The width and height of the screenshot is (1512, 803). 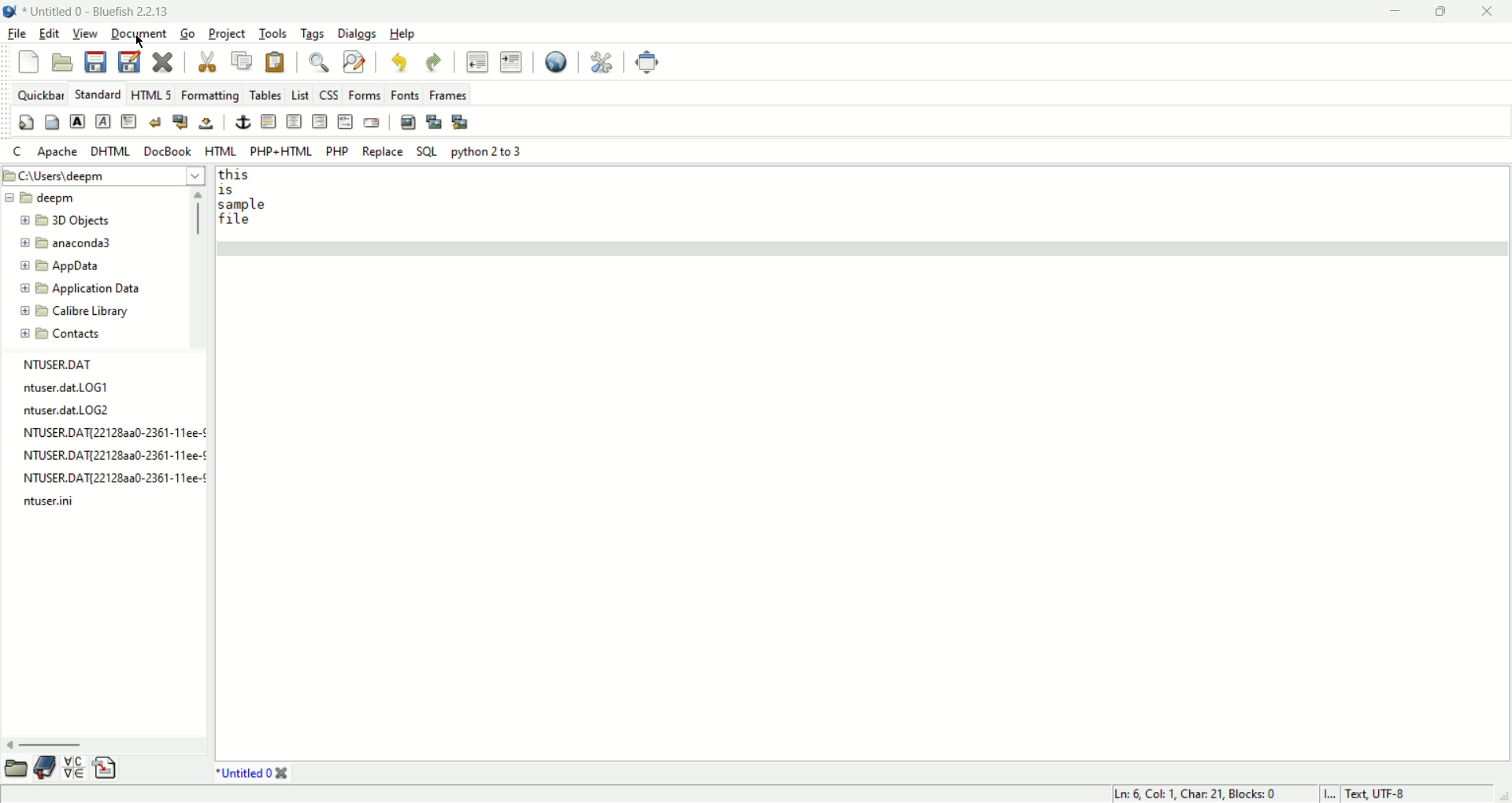 I want to click on app data, so click(x=60, y=266).